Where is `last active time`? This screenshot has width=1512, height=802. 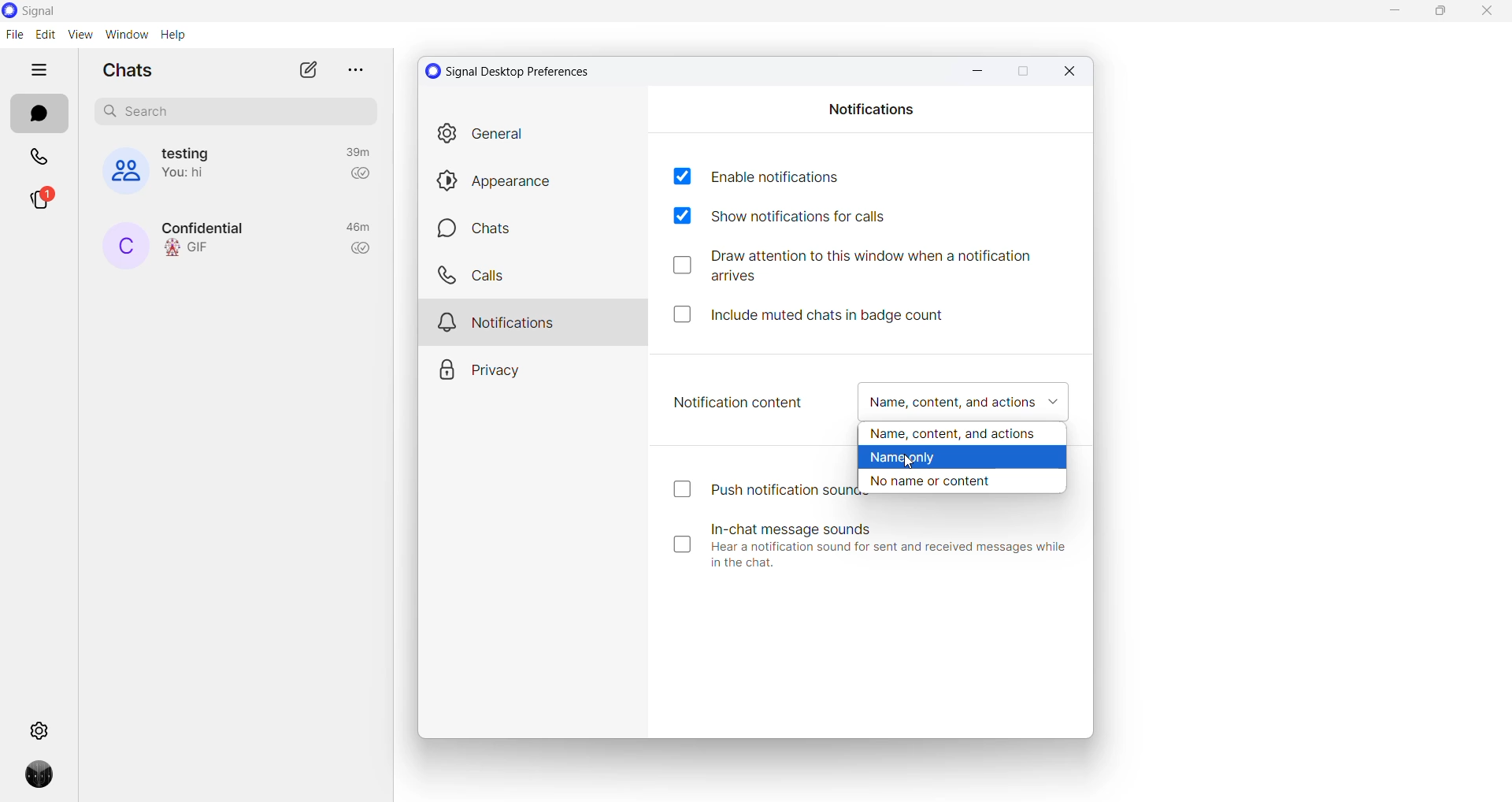 last active time is located at coordinates (355, 152).